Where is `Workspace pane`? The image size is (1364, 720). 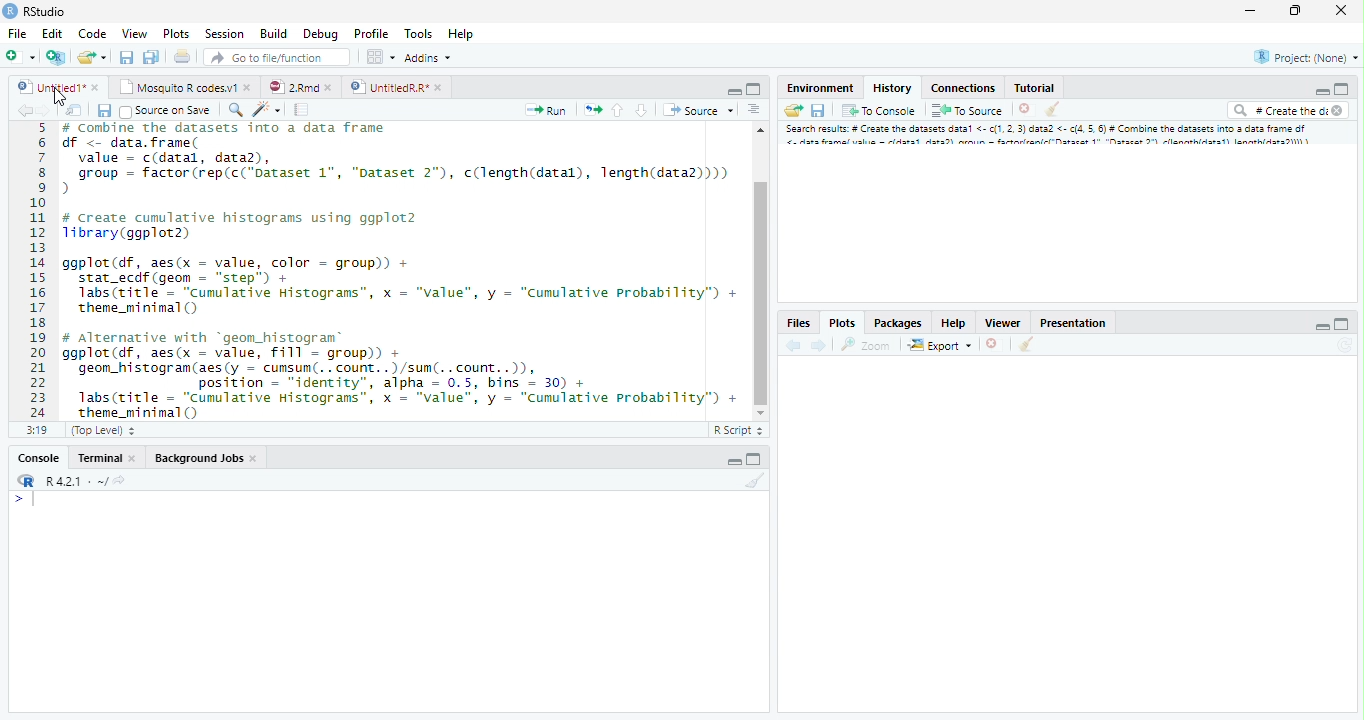 Workspace pane is located at coordinates (381, 58).